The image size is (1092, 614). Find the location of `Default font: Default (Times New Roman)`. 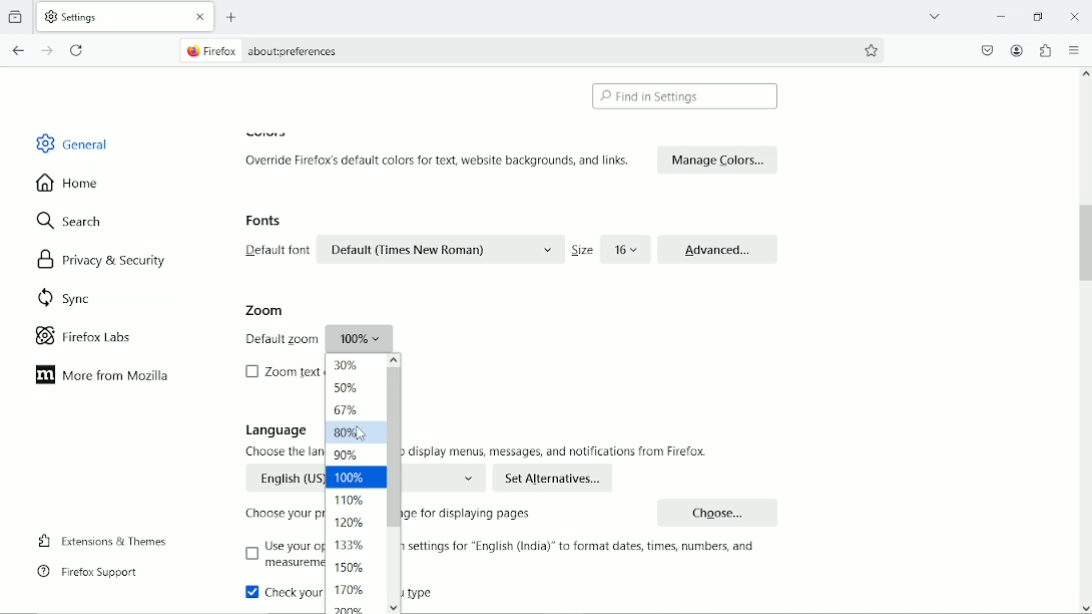

Default font: Default (Times New Roman) is located at coordinates (401, 250).